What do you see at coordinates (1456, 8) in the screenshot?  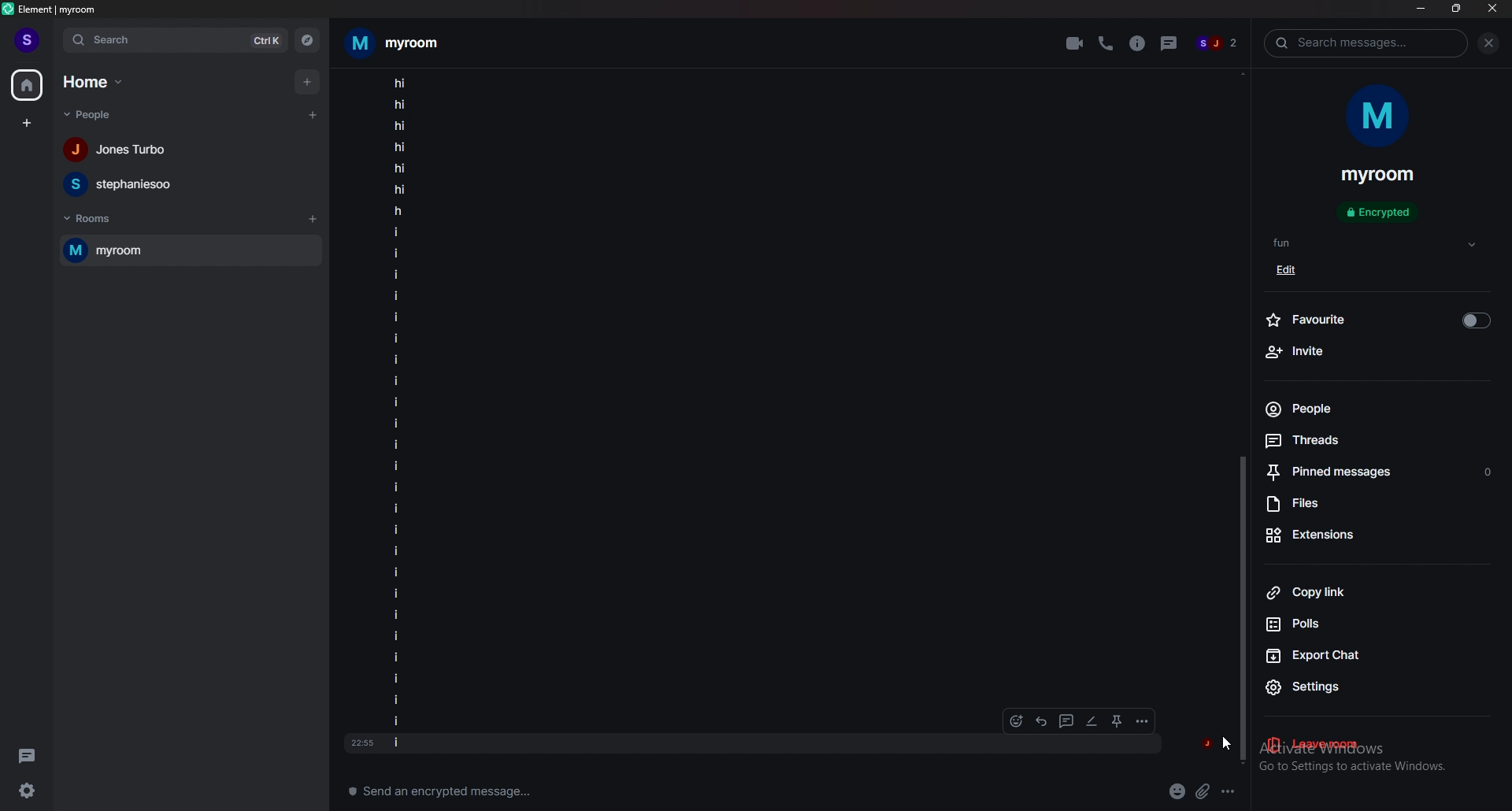 I see `resize` at bounding box center [1456, 8].